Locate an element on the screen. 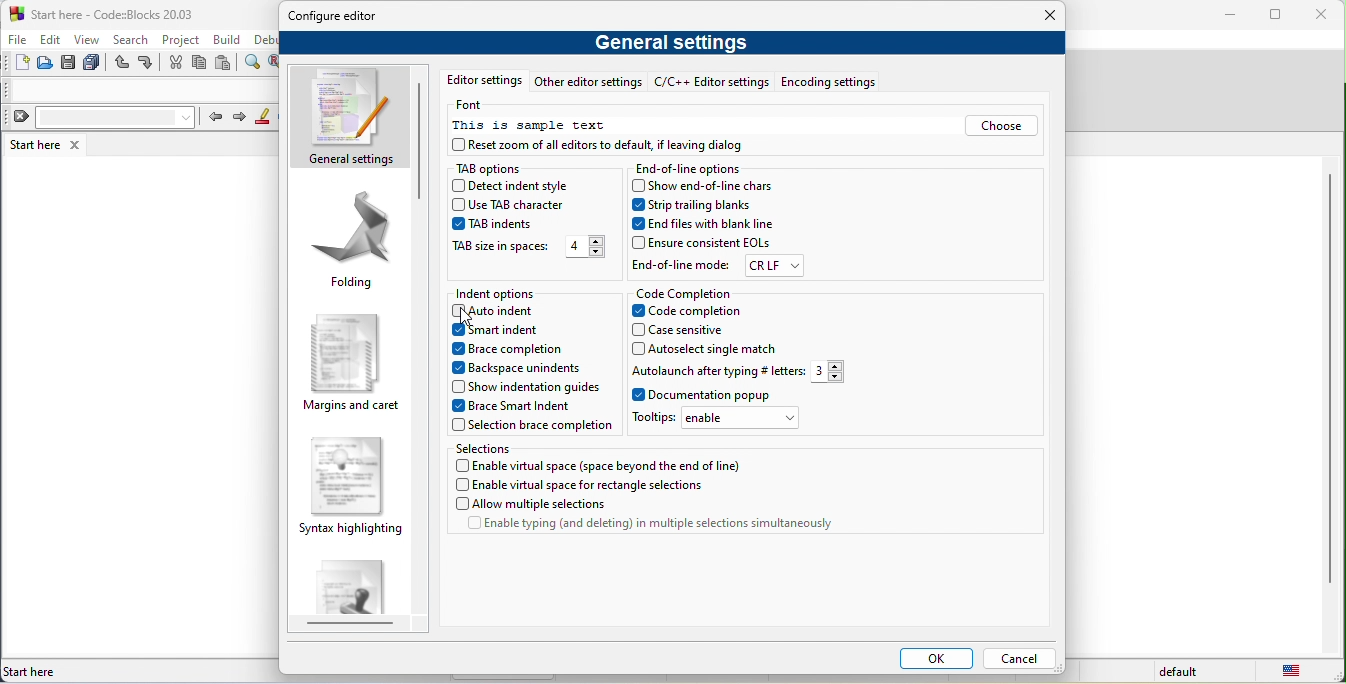 This screenshot has width=1346, height=684. brace smart indent is located at coordinates (518, 406).